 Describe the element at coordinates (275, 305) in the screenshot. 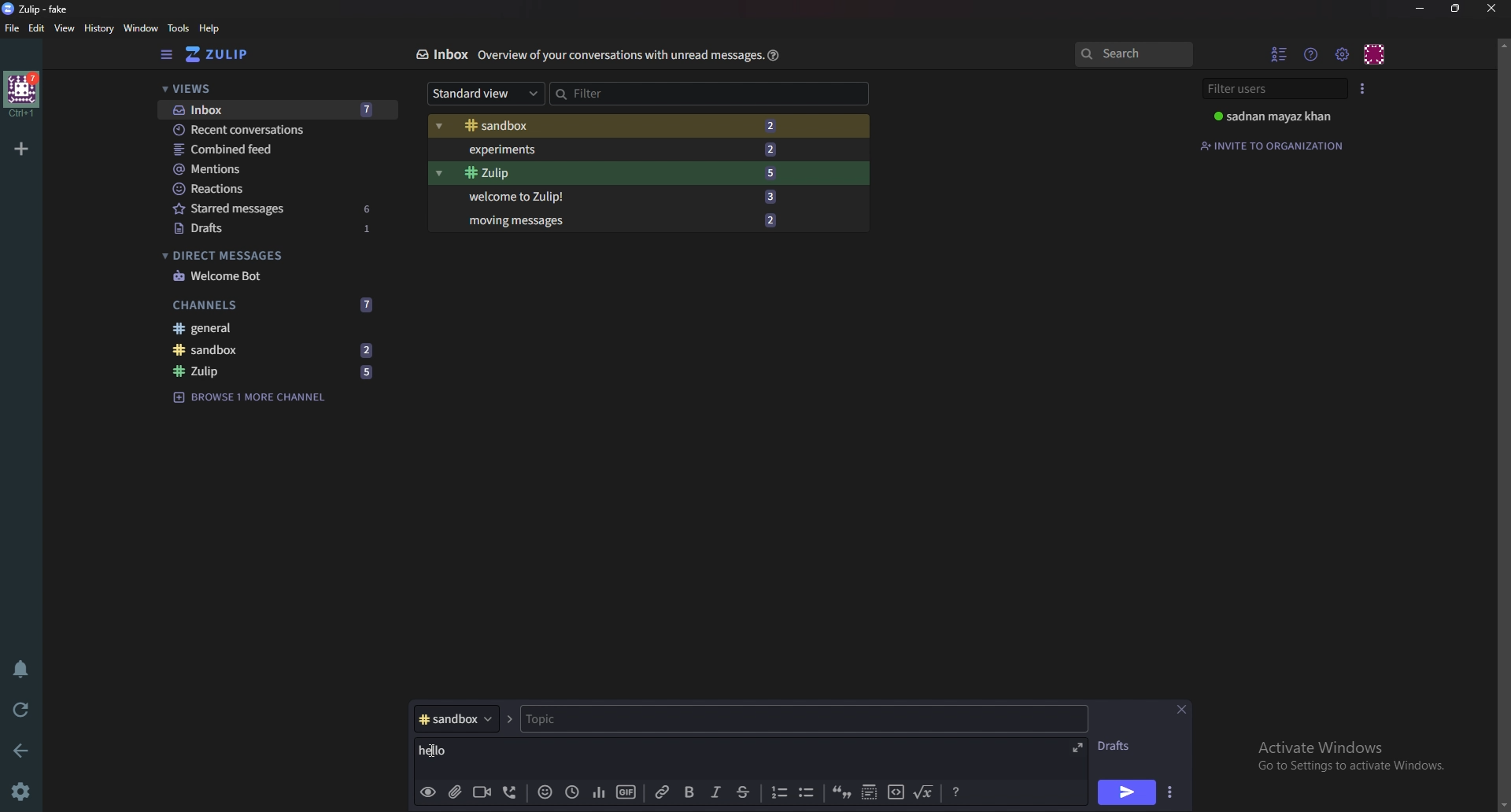

I see `Channels 7` at that location.